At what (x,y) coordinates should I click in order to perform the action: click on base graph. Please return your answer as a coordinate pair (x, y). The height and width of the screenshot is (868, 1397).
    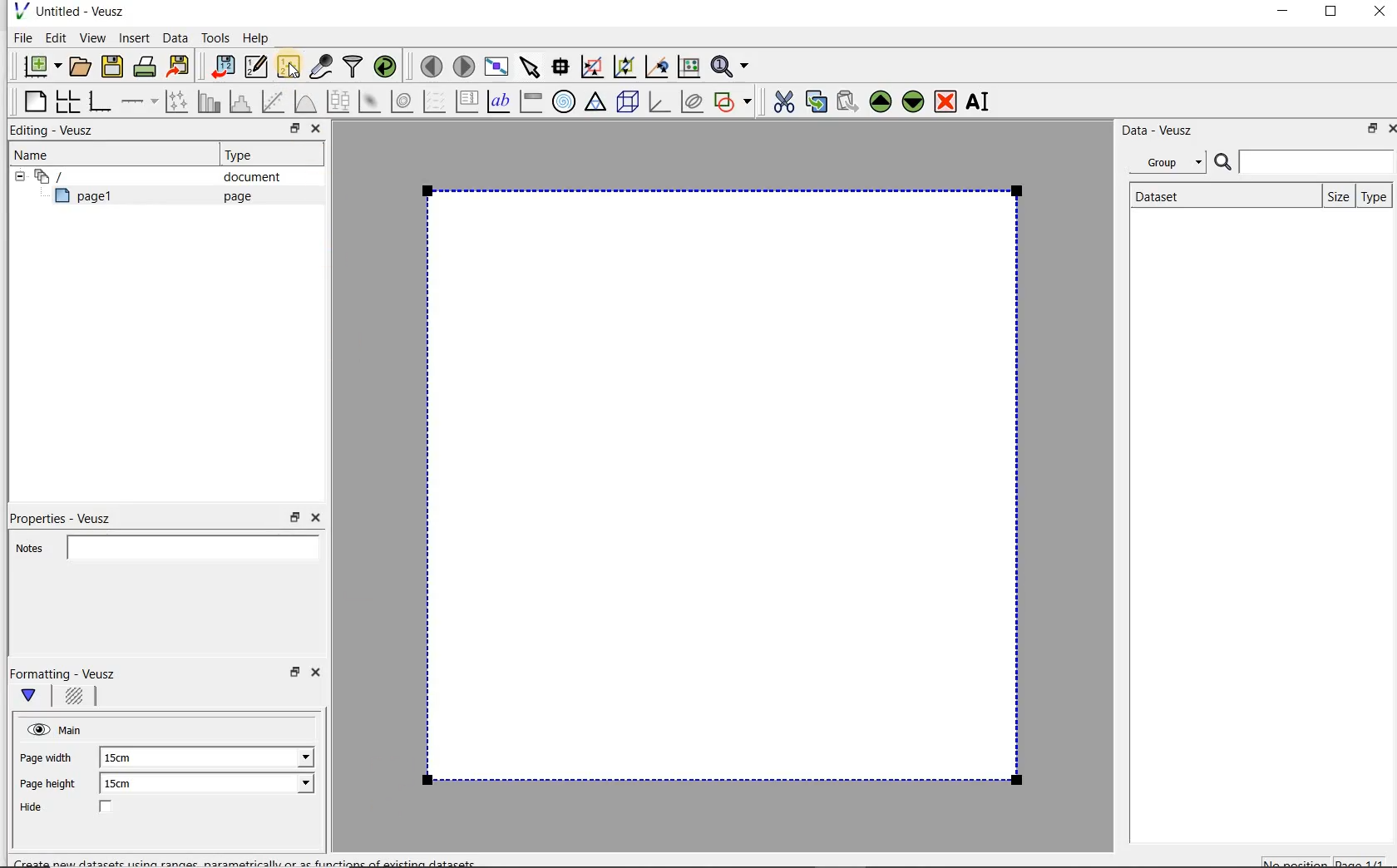
    Looking at the image, I should click on (99, 102).